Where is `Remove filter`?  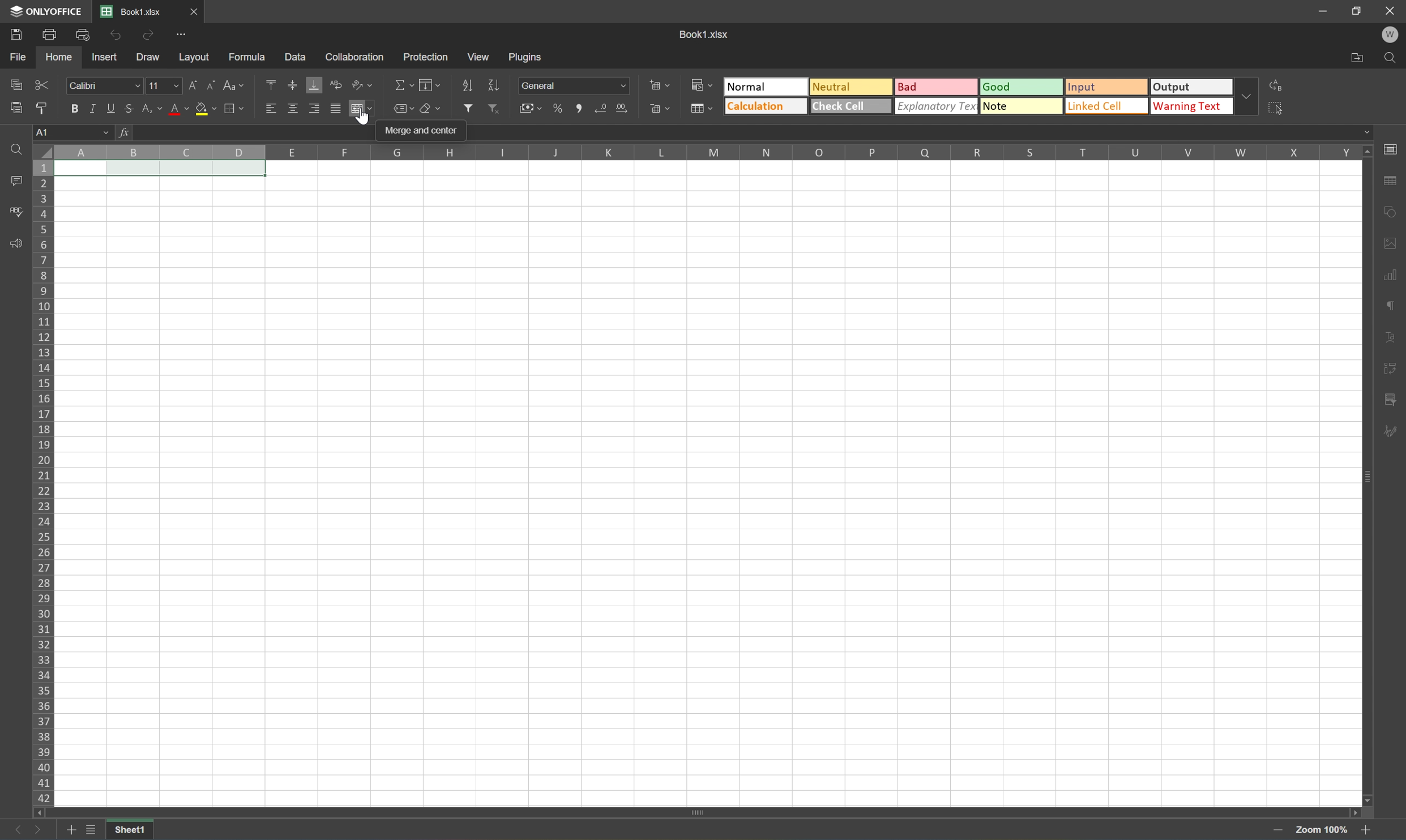
Remove filter is located at coordinates (493, 108).